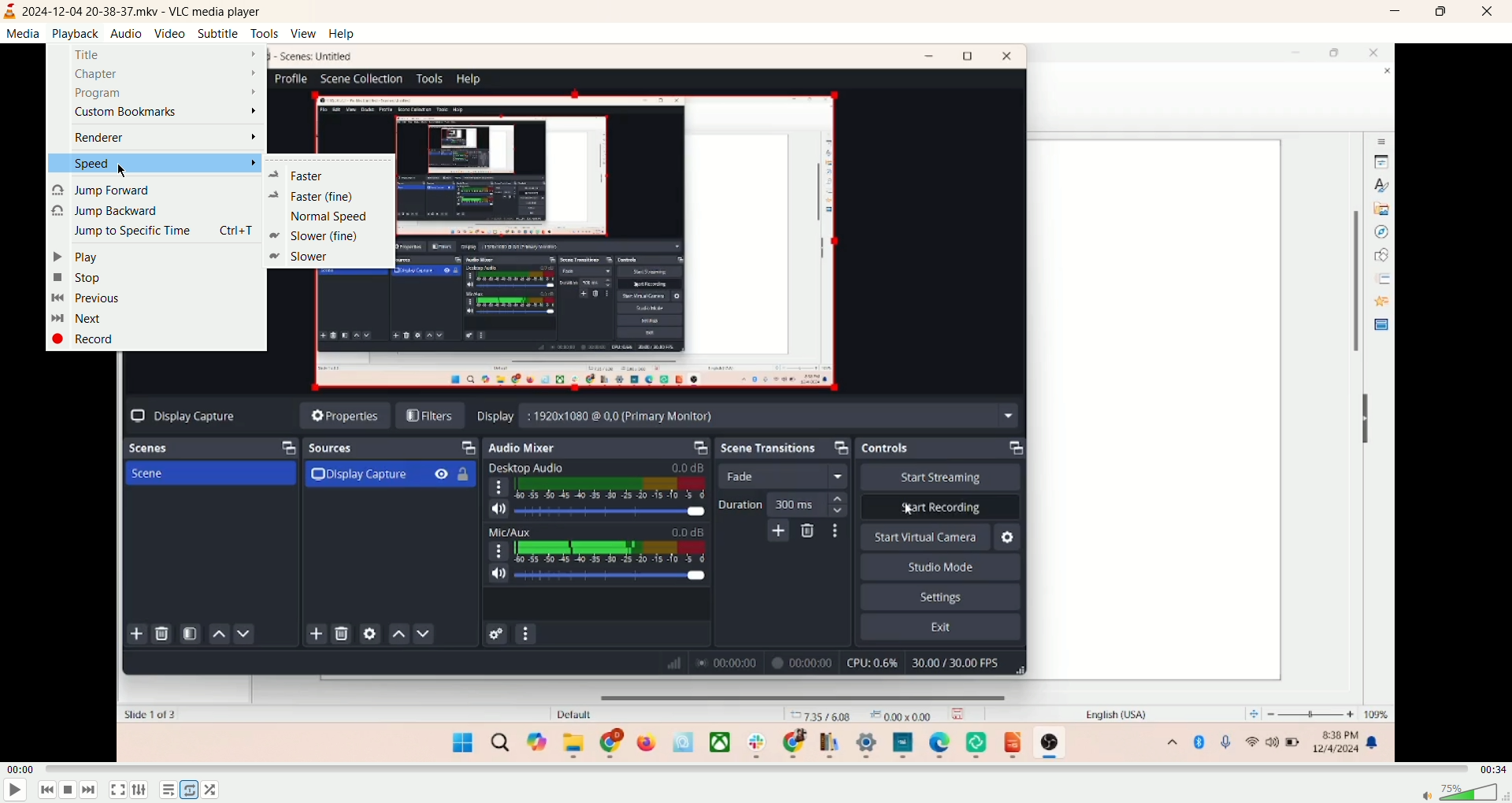  What do you see at coordinates (106, 211) in the screenshot?
I see `jump backward` at bounding box center [106, 211].